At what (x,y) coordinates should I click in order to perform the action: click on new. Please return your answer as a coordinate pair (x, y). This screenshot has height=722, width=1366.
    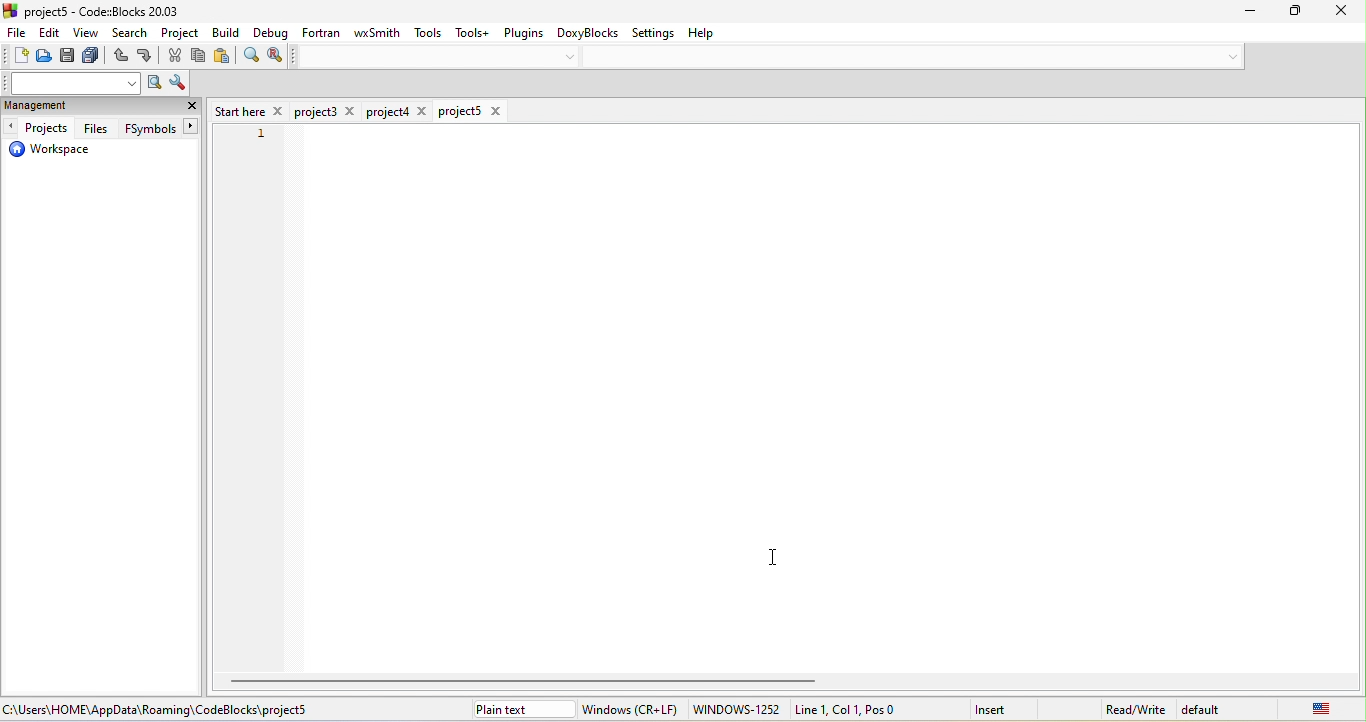
    Looking at the image, I should click on (15, 57).